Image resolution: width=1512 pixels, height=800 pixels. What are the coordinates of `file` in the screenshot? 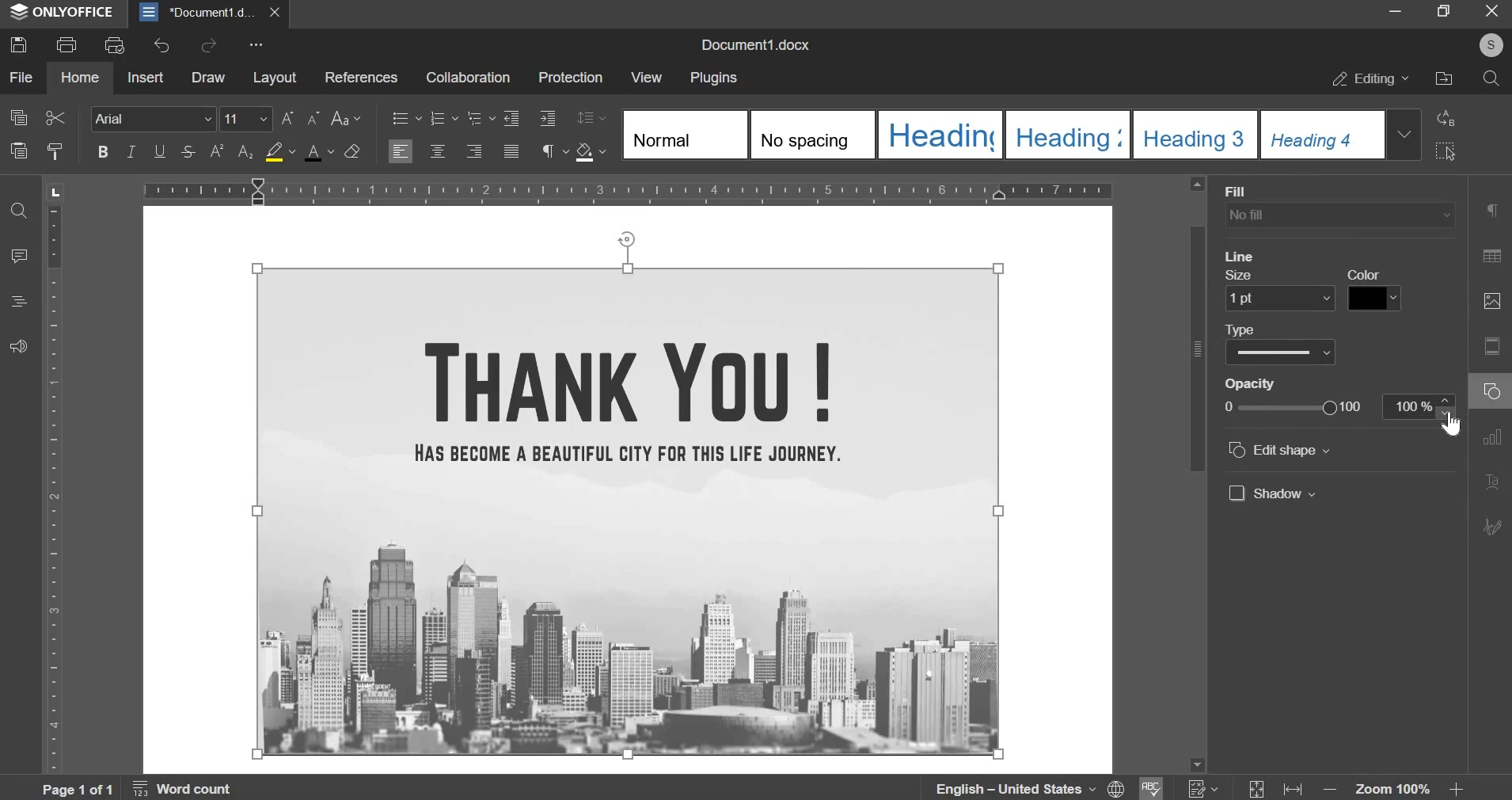 It's located at (20, 77).